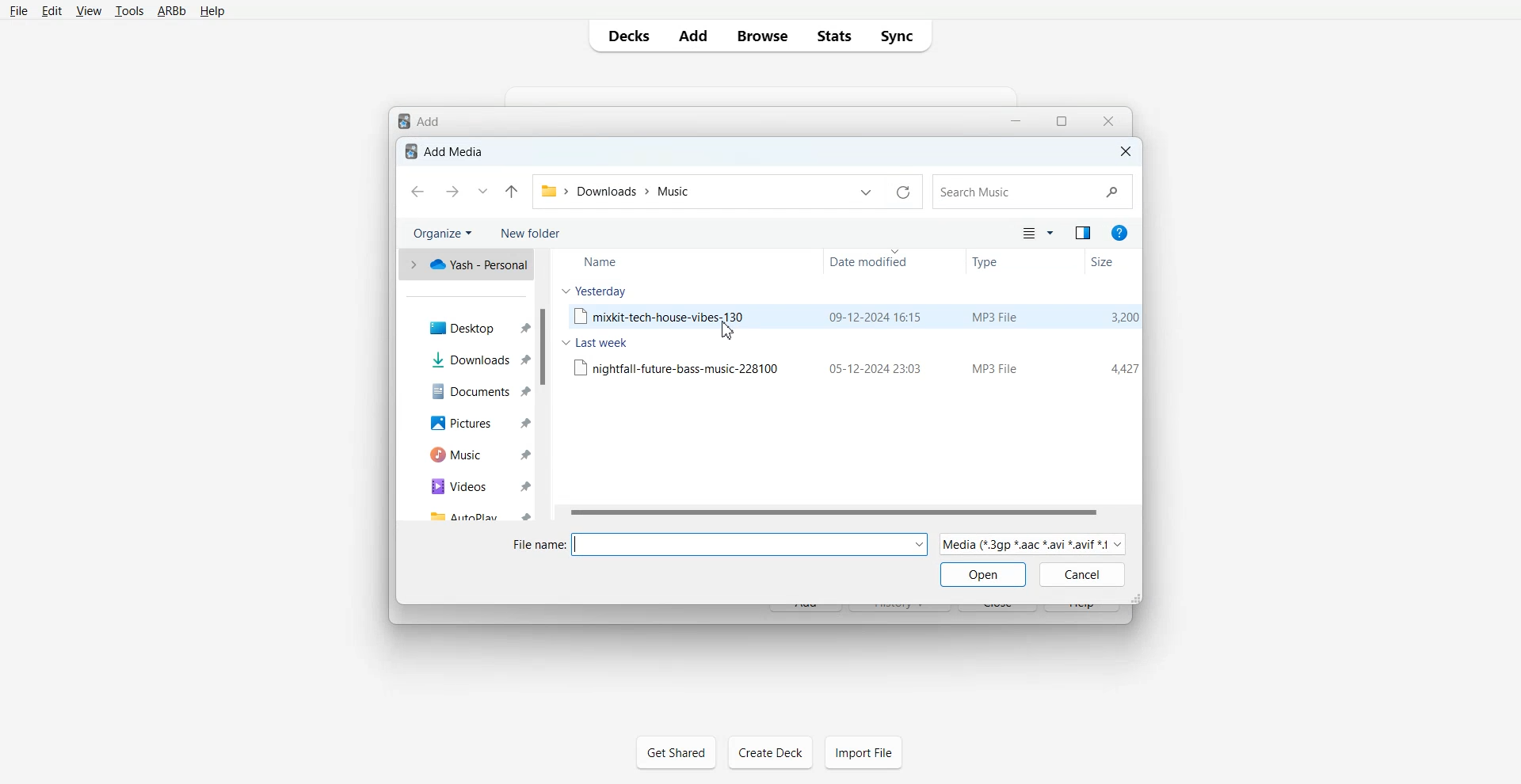 The image size is (1521, 784). What do you see at coordinates (1107, 121) in the screenshot?
I see `Close` at bounding box center [1107, 121].